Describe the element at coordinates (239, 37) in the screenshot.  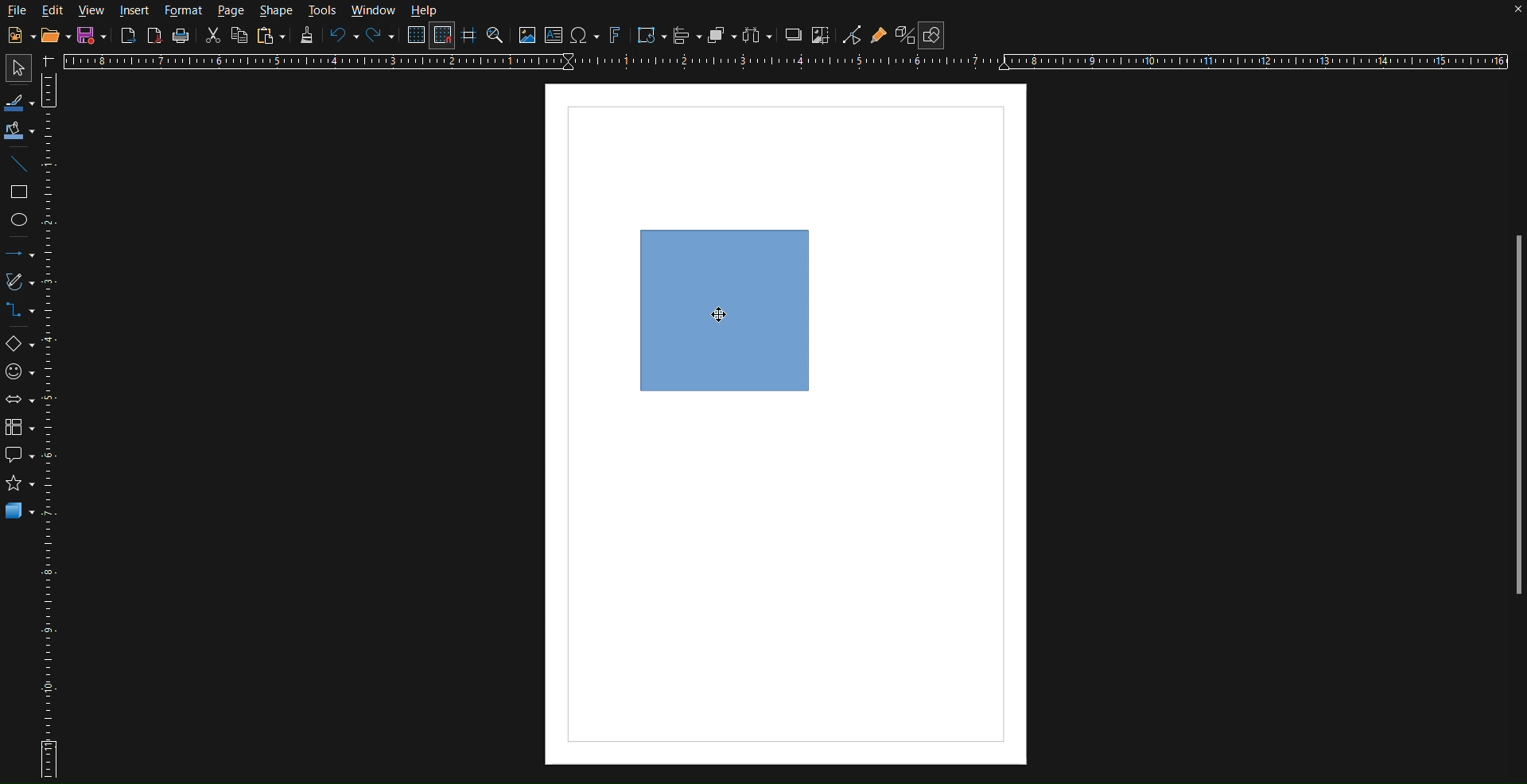
I see `Copy` at that location.